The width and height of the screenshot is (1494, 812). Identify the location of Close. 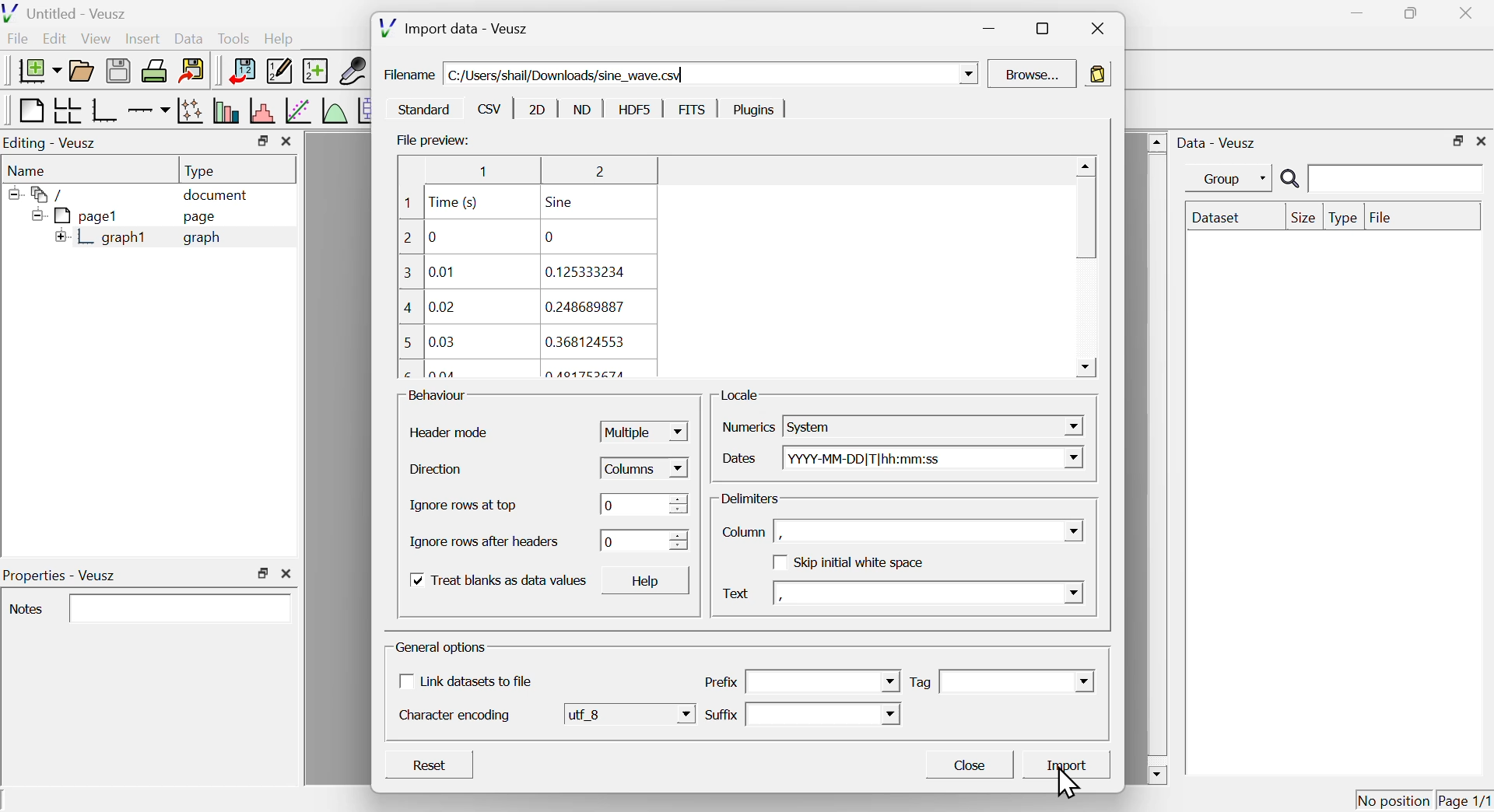
(975, 767).